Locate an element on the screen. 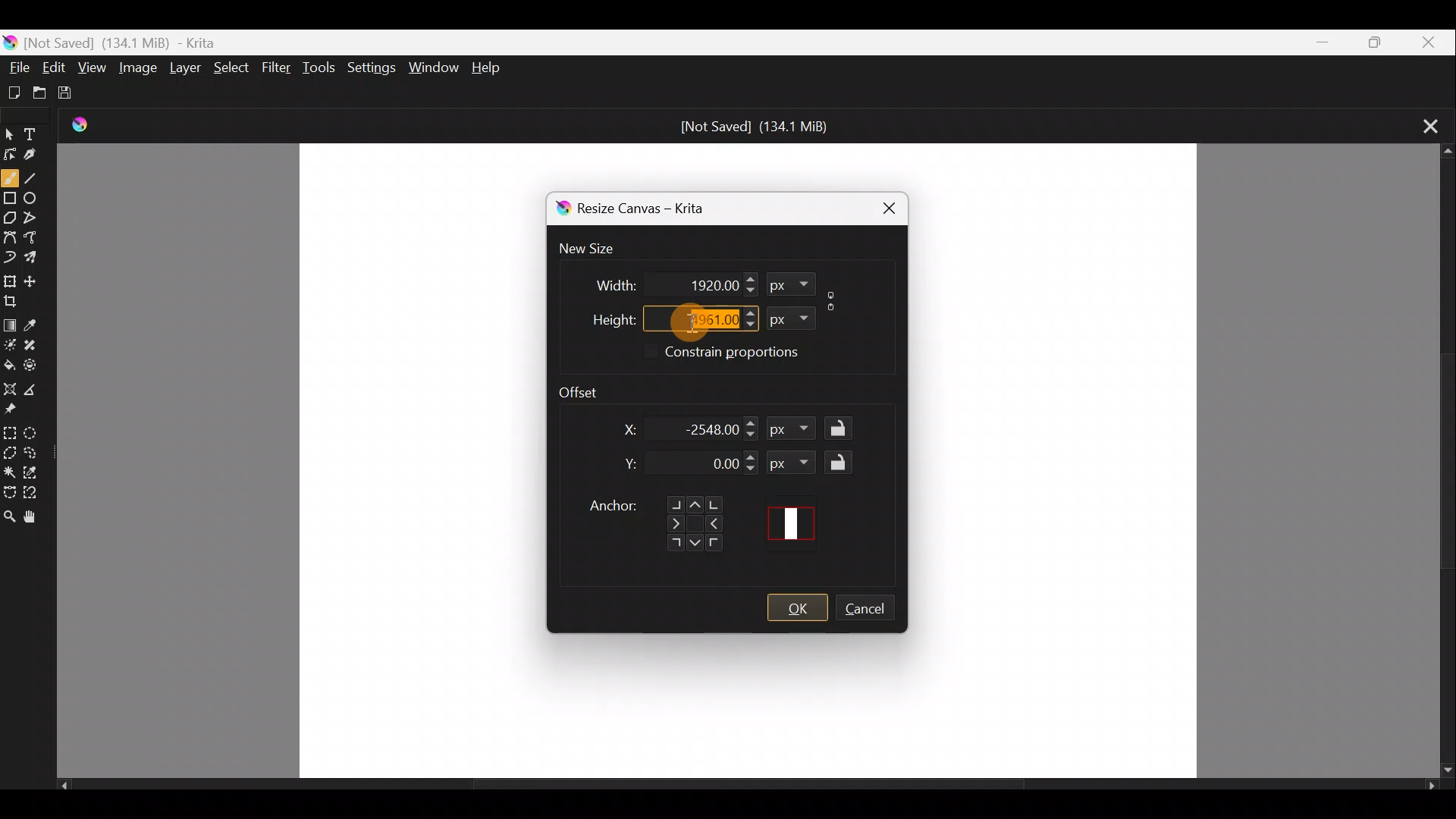 Image resolution: width=1456 pixels, height=819 pixels. Polygon tool is located at coordinates (11, 219).